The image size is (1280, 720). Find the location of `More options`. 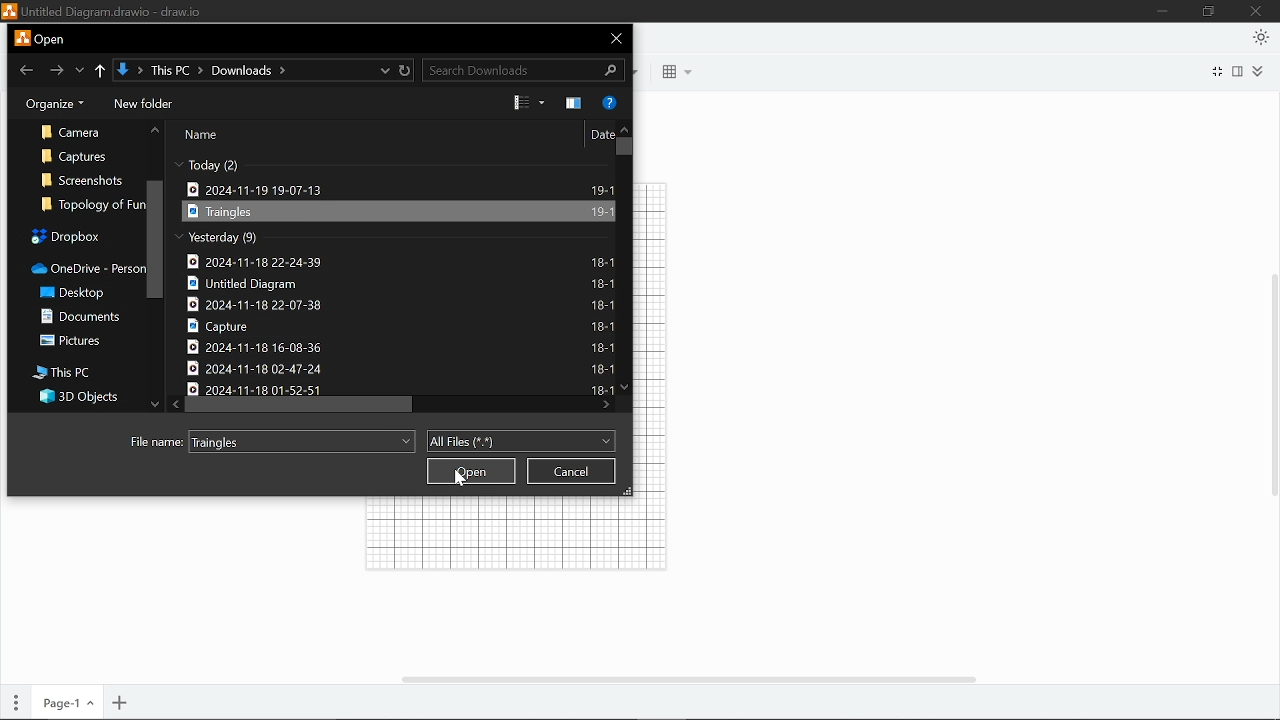

More options is located at coordinates (541, 103).